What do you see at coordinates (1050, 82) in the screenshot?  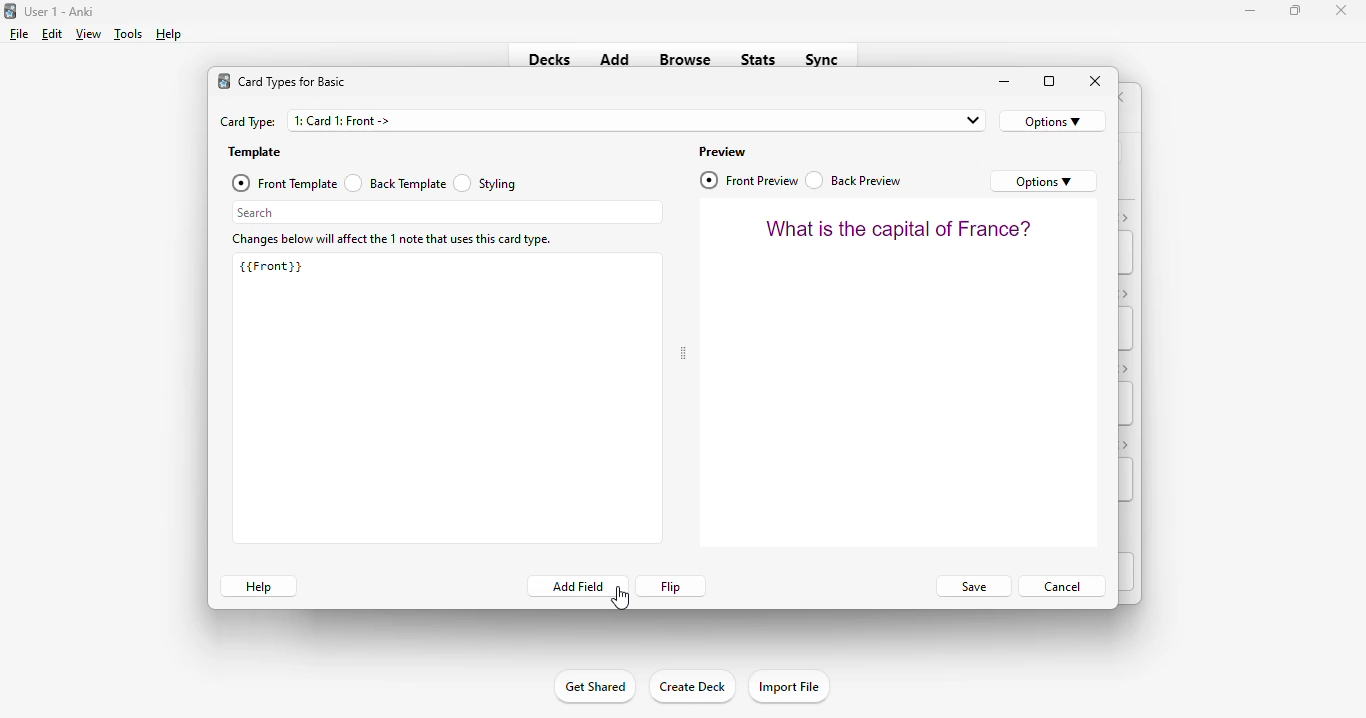 I see `maximize` at bounding box center [1050, 82].